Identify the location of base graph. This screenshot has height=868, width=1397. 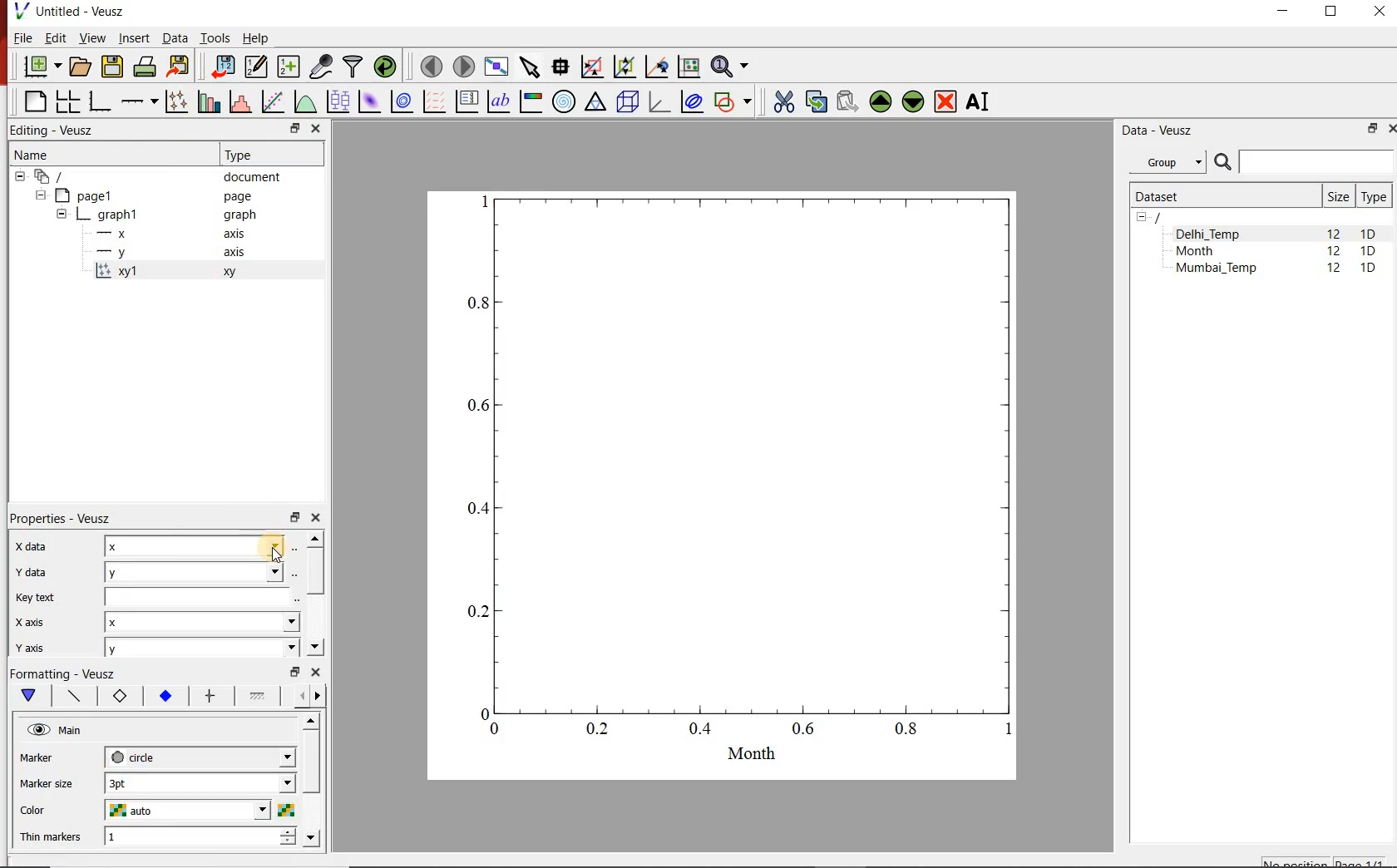
(98, 102).